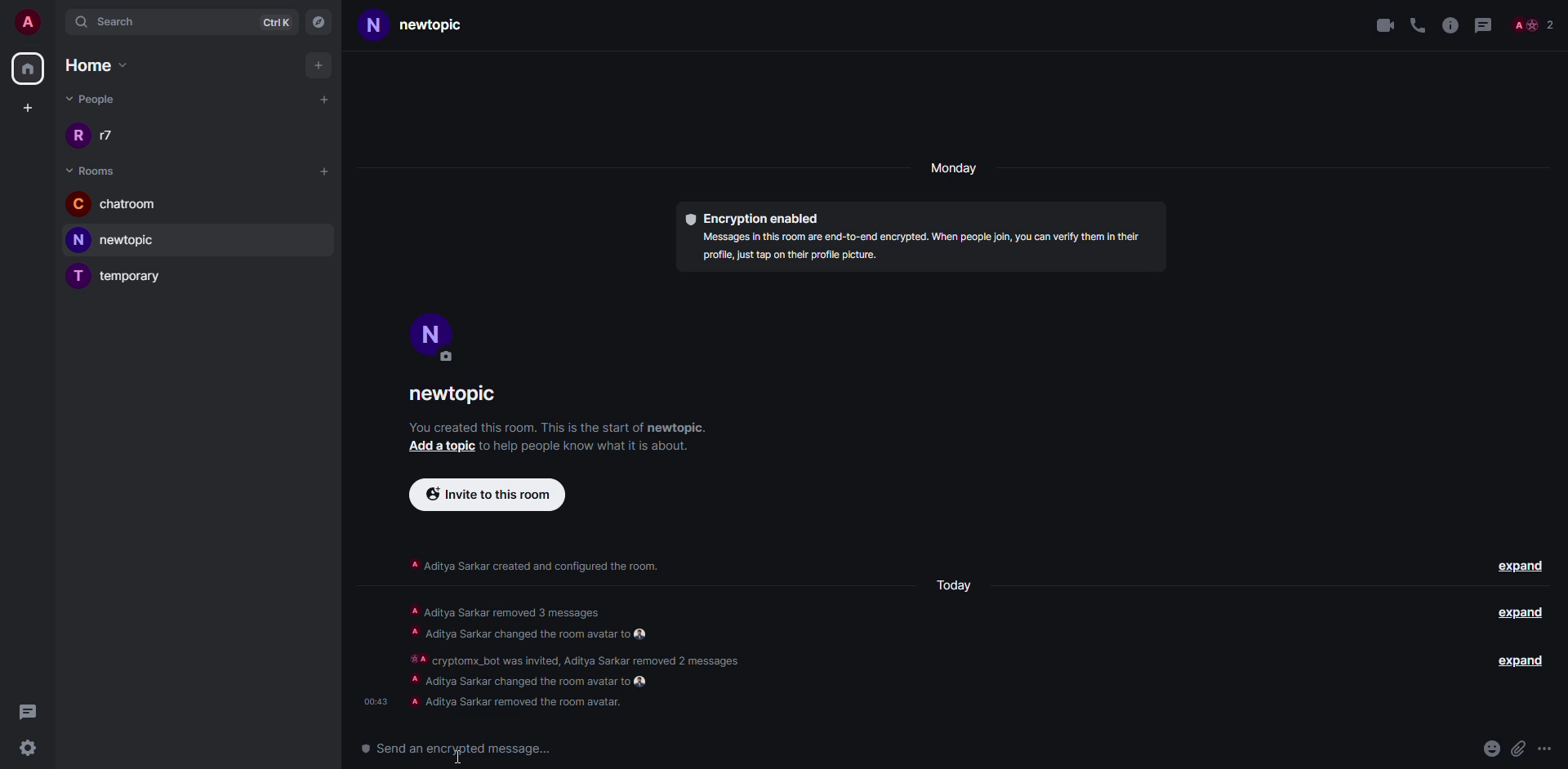 The width and height of the screenshot is (1568, 769). What do you see at coordinates (324, 170) in the screenshot?
I see `add` at bounding box center [324, 170].